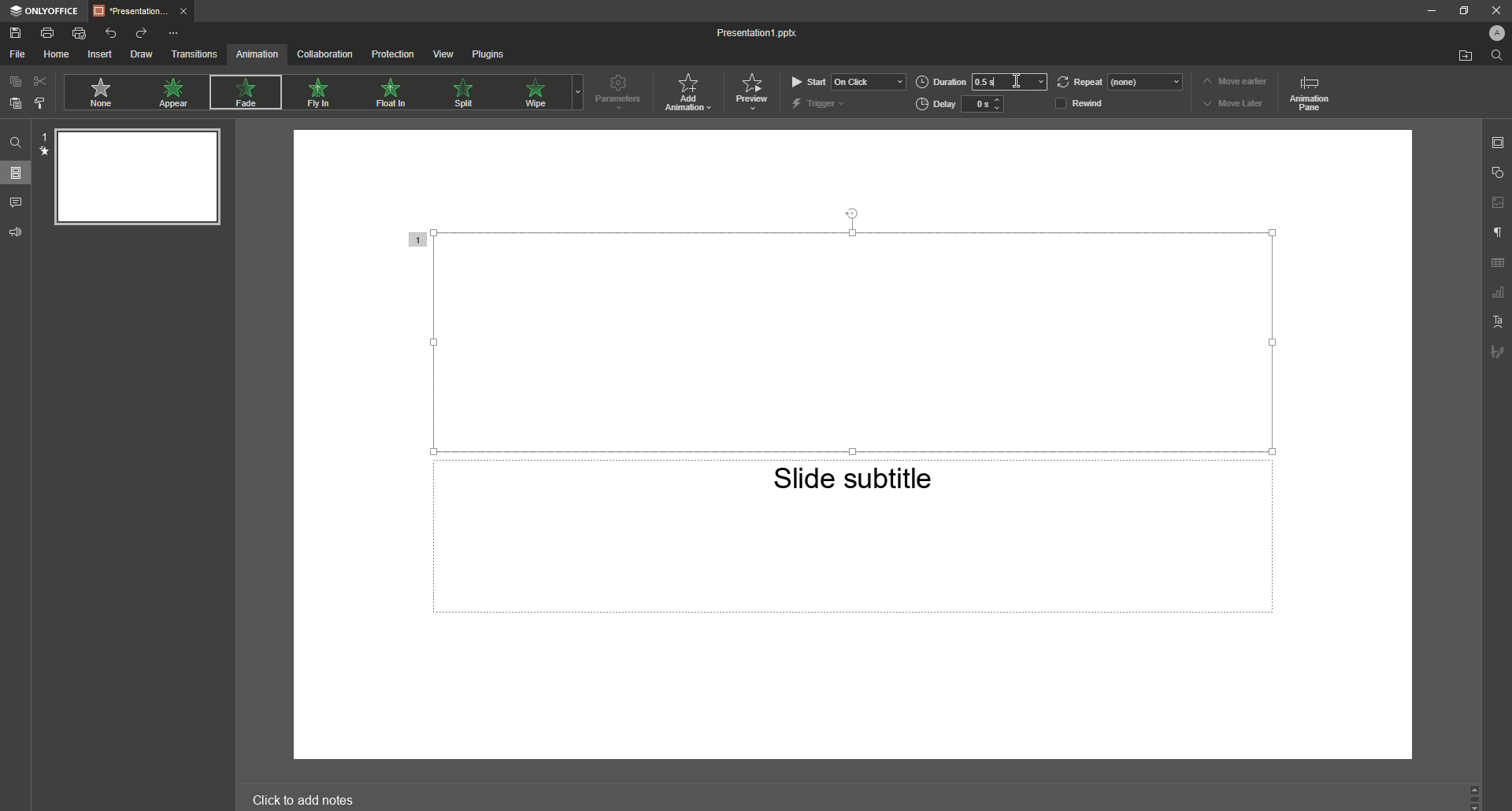 This screenshot has height=811, width=1512. I want to click on Cut, so click(41, 81).